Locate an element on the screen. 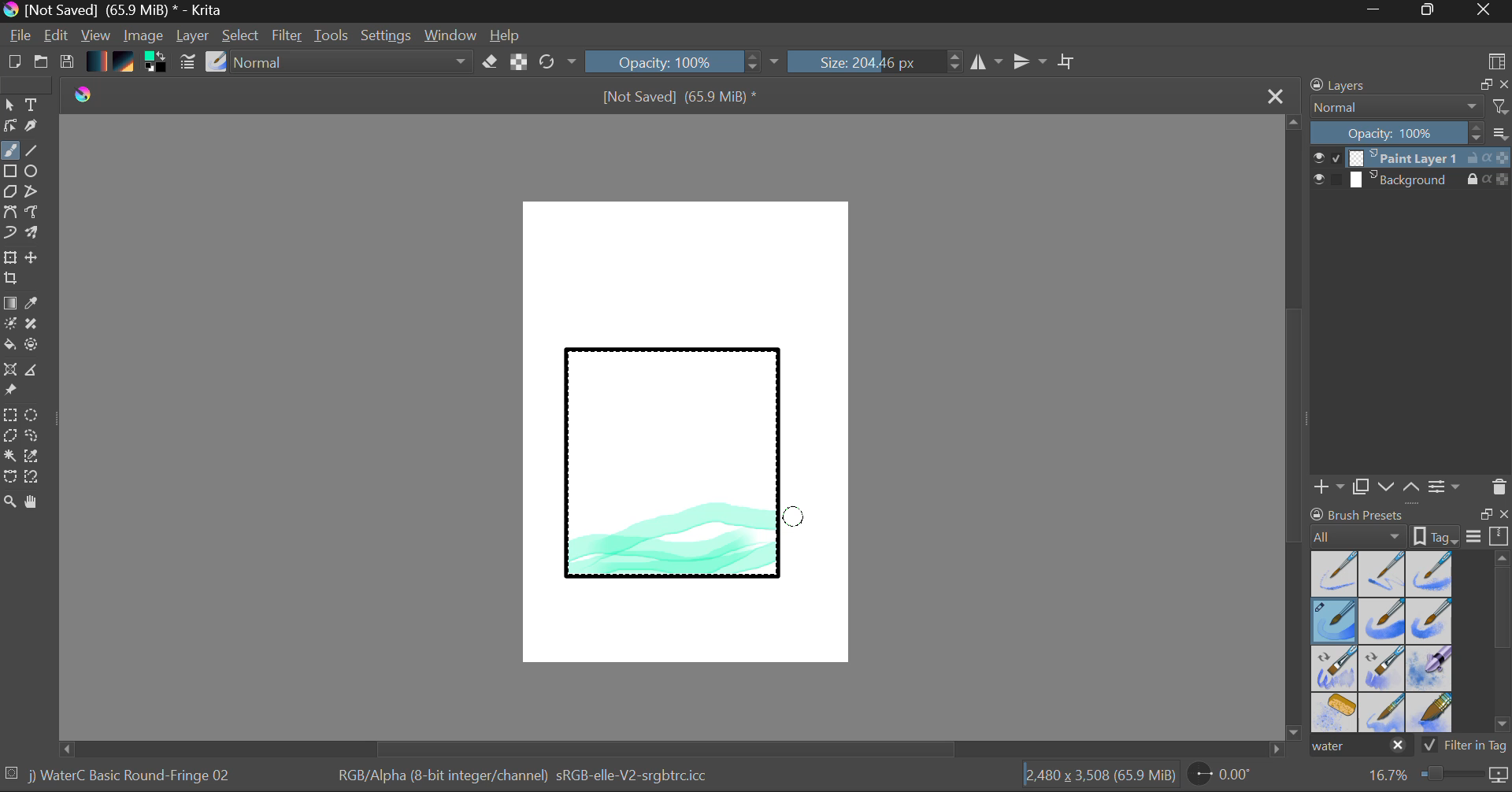 This screenshot has height=792, width=1512. Delete Layer is located at coordinates (1499, 487).